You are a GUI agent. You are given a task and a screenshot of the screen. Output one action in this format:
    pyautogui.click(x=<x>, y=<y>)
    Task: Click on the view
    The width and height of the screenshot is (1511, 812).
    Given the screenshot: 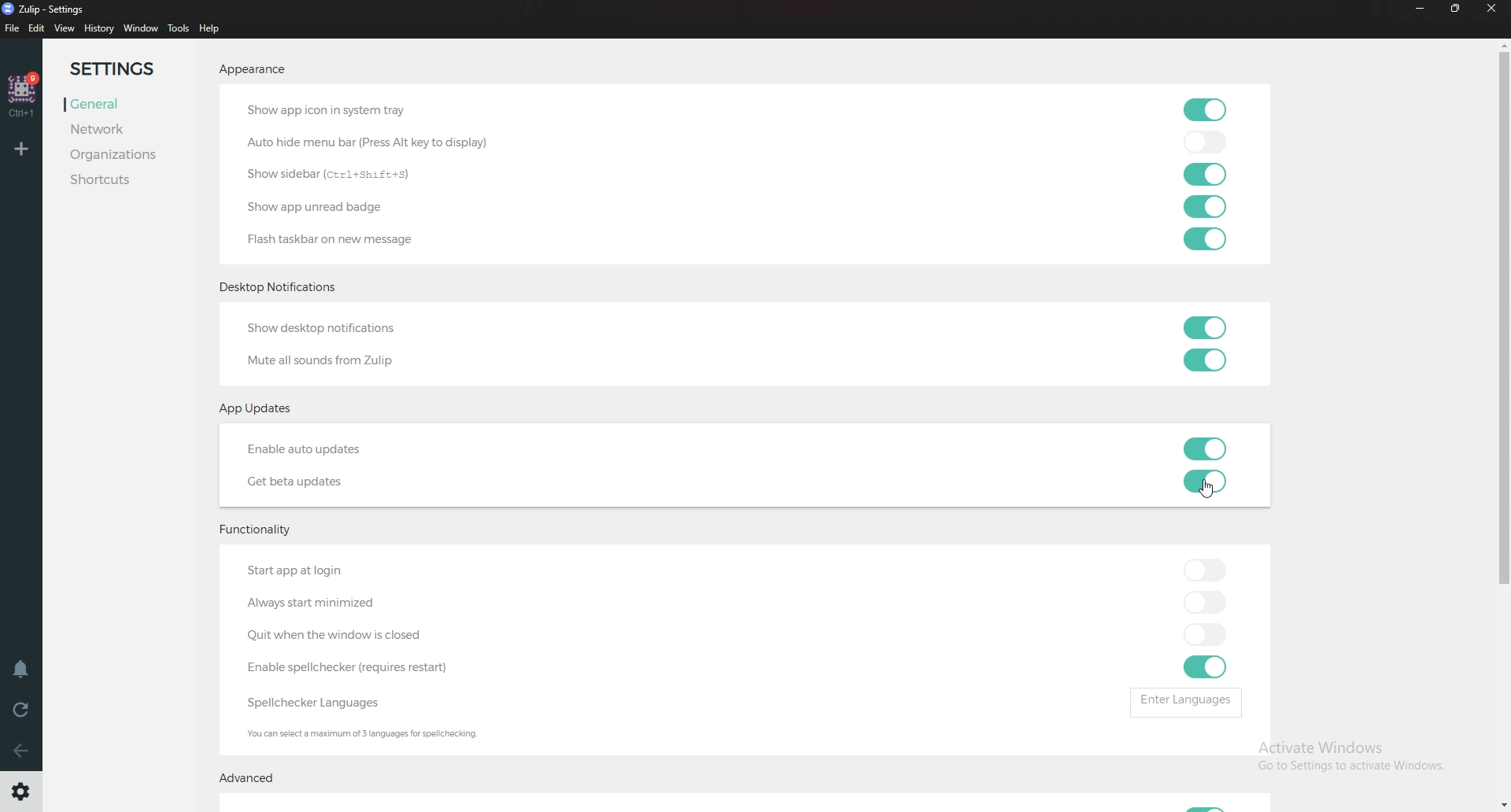 What is the action you would take?
    pyautogui.click(x=65, y=29)
    